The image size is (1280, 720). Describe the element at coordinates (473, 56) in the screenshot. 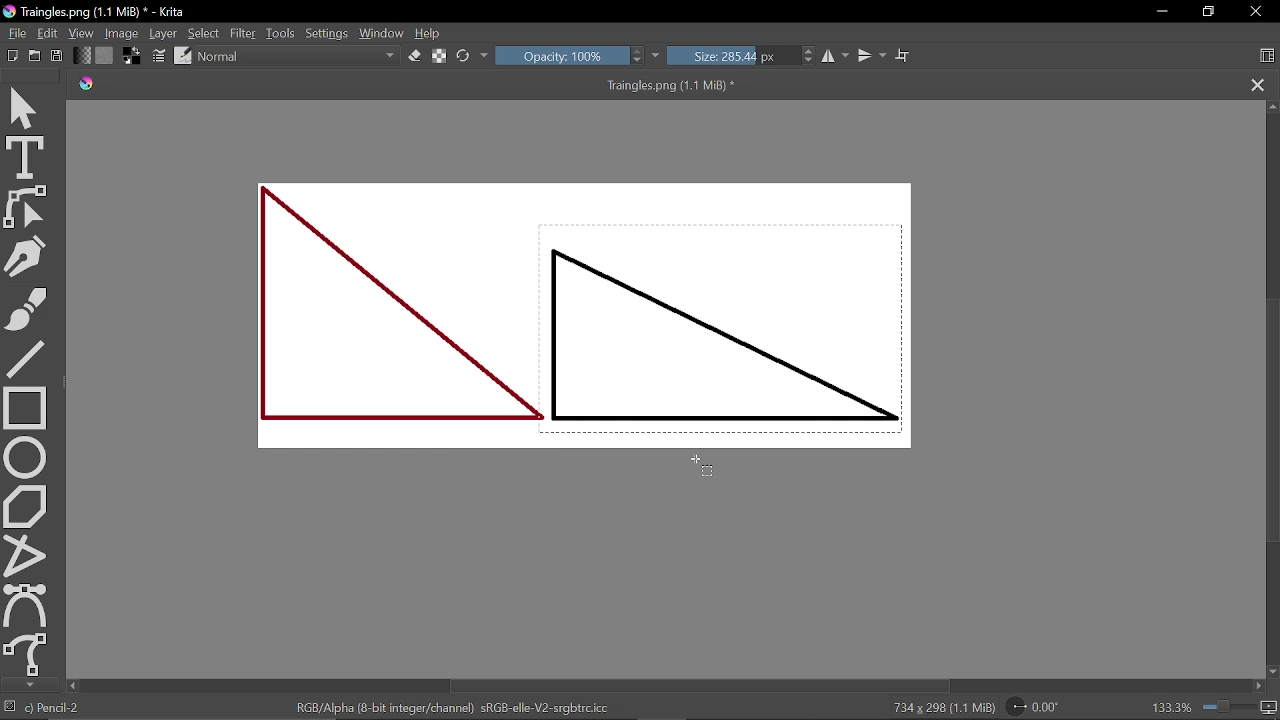

I see `Reload original preset` at that location.